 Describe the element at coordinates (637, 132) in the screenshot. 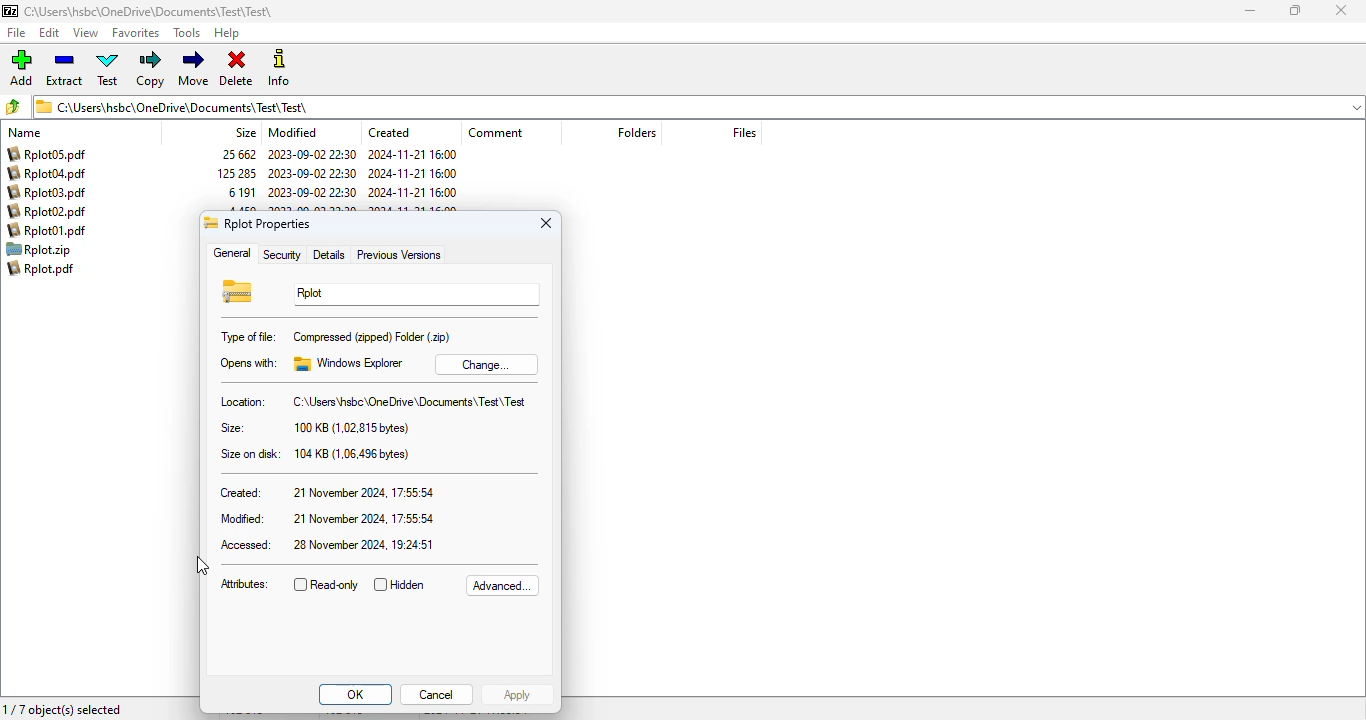

I see `folders` at that location.